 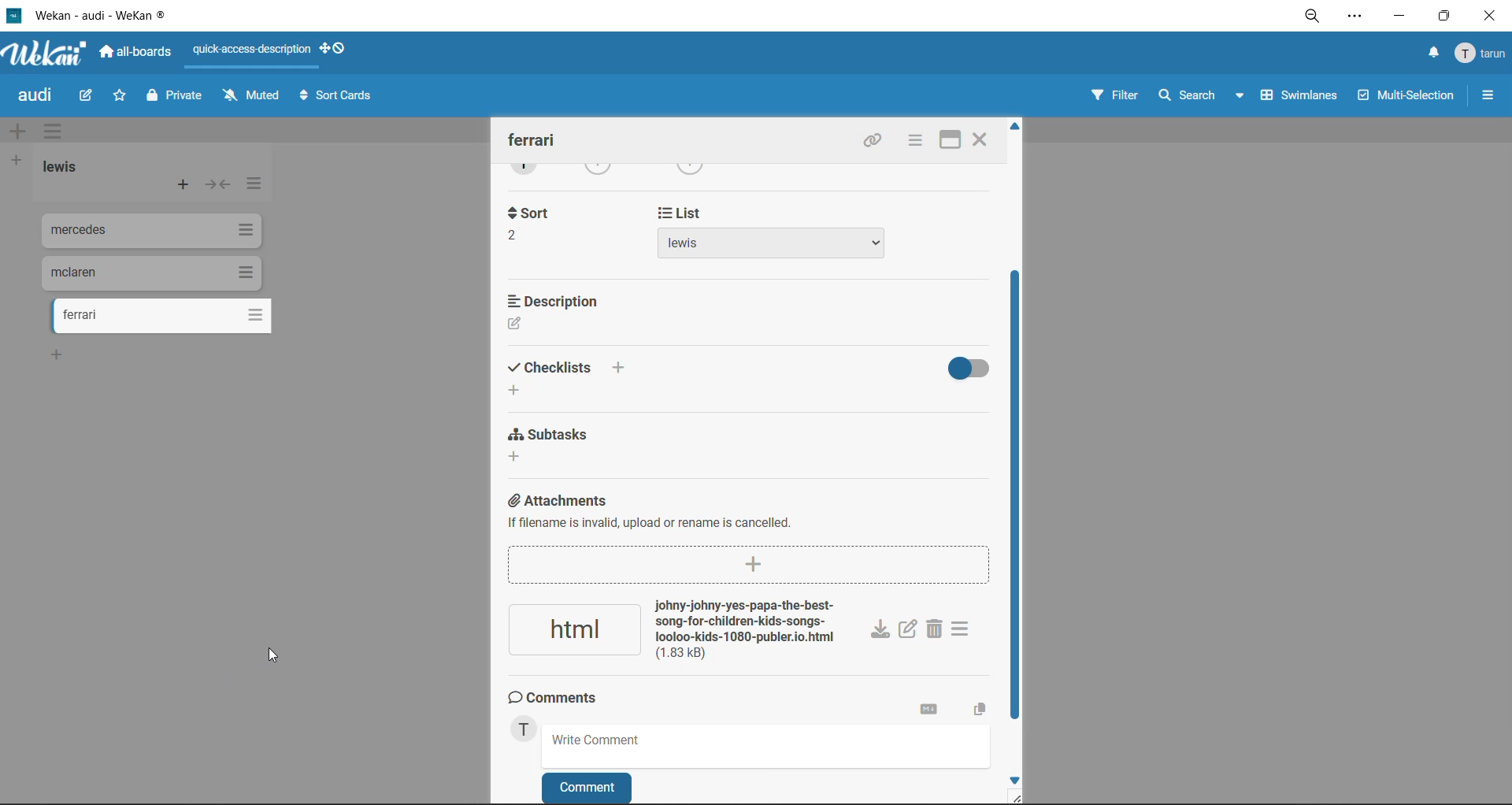 I want to click on sort, so click(x=528, y=223).